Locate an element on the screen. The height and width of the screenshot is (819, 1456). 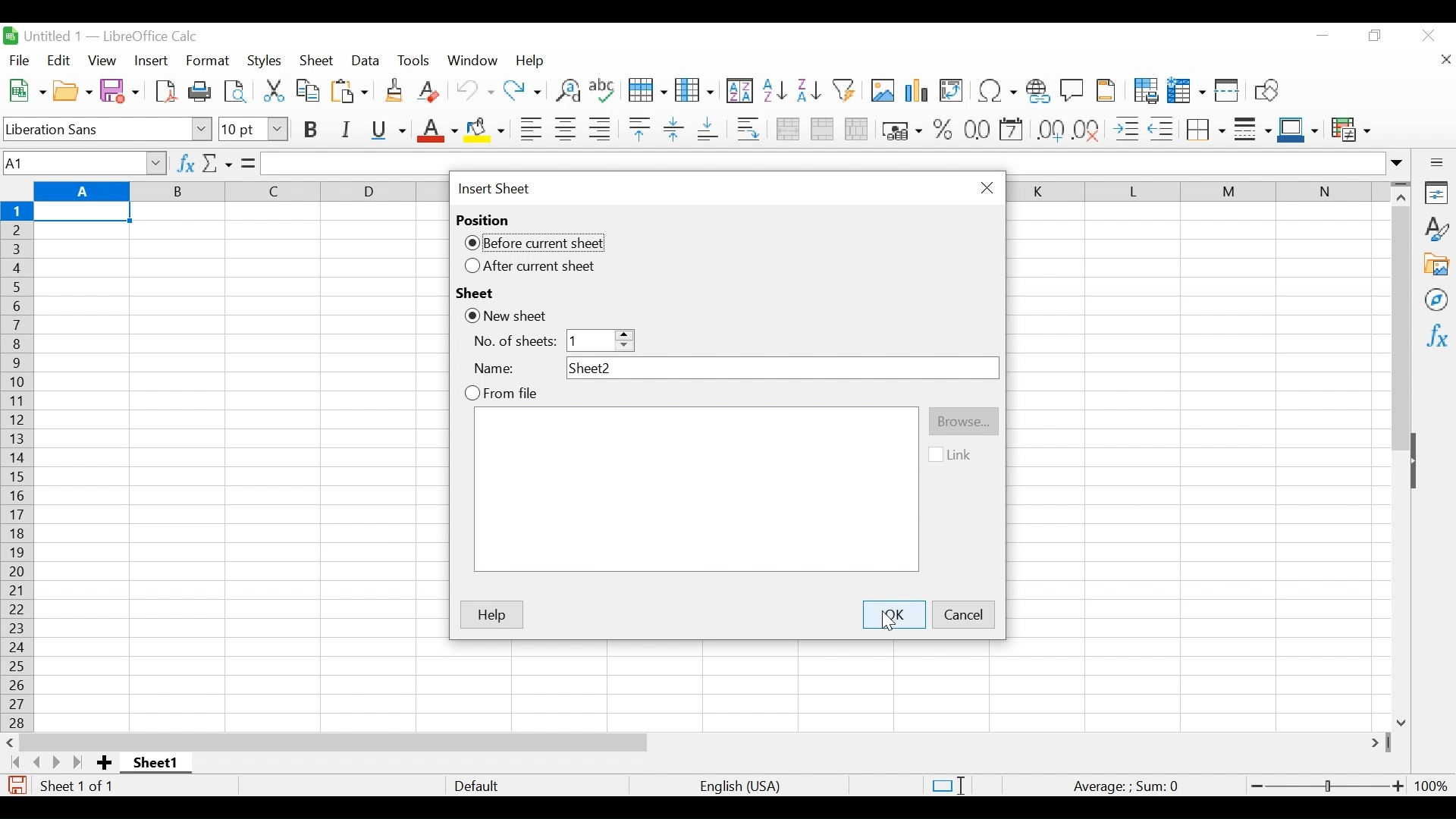
Paste is located at coordinates (349, 91).